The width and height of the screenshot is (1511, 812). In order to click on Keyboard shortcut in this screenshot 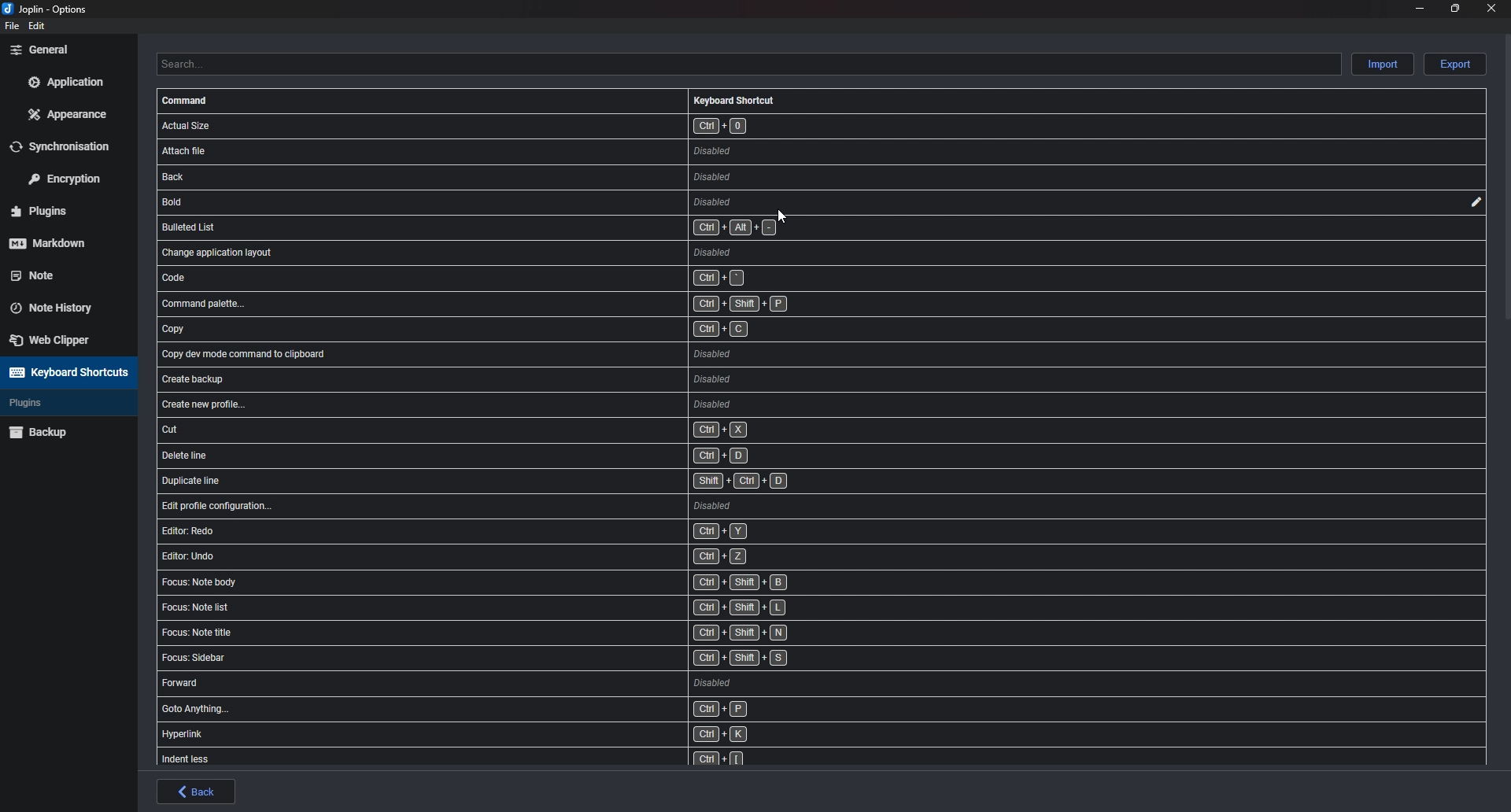, I will do `click(734, 100)`.